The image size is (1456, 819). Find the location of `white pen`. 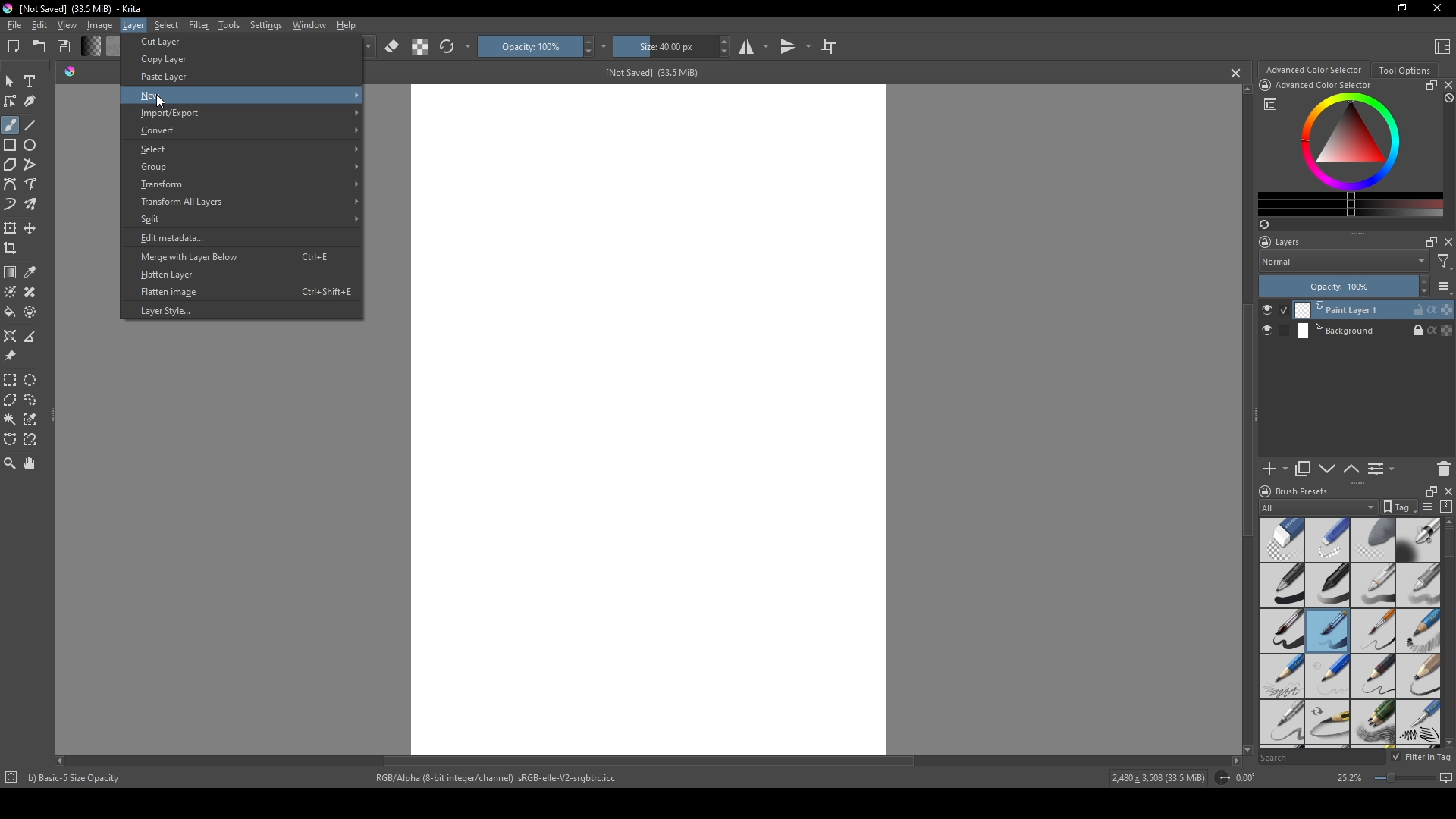

white pen is located at coordinates (1373, 585).